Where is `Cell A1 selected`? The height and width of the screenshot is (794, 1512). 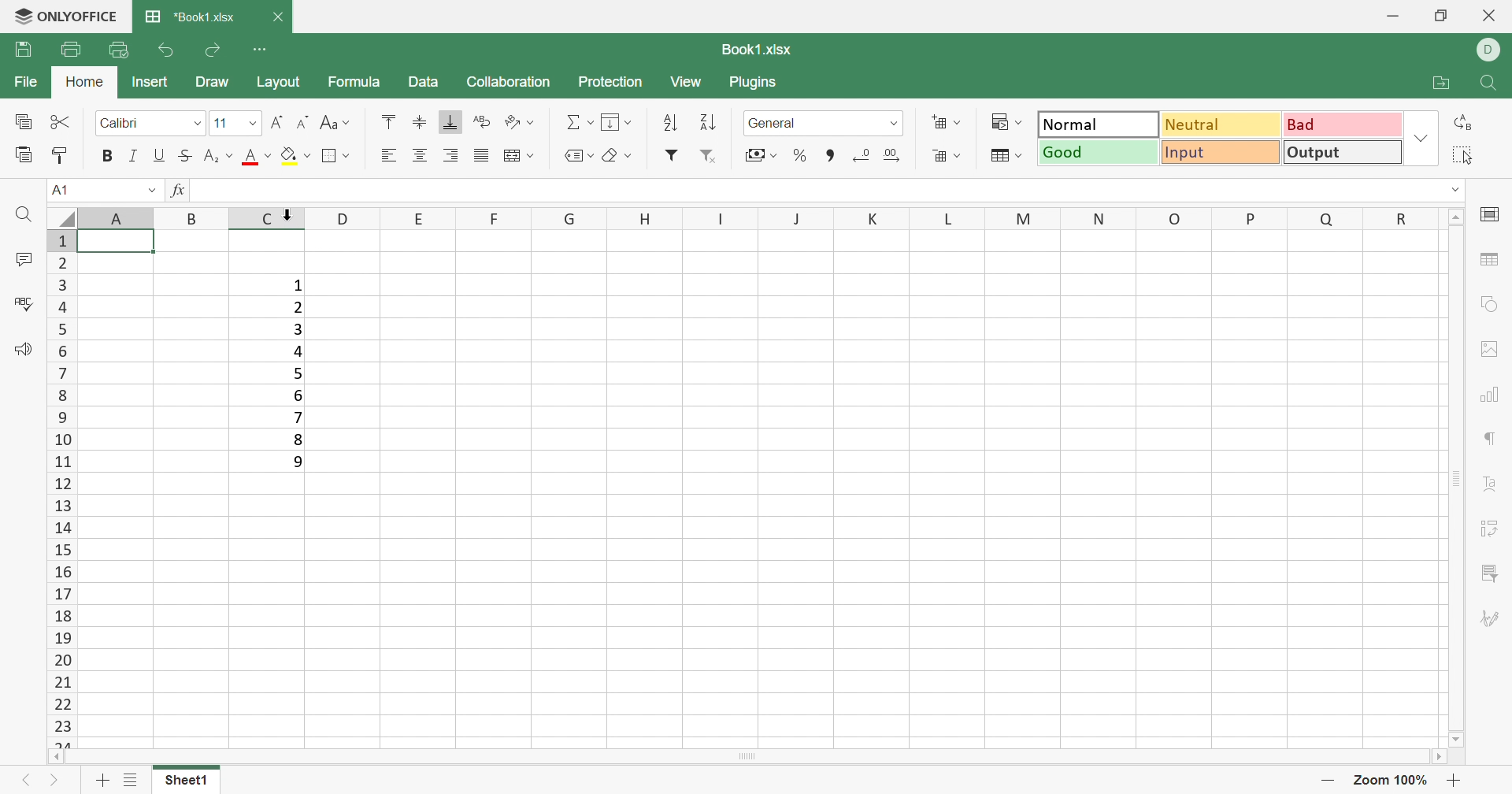 Cell A1 selected is located at coordinates (119, 242).